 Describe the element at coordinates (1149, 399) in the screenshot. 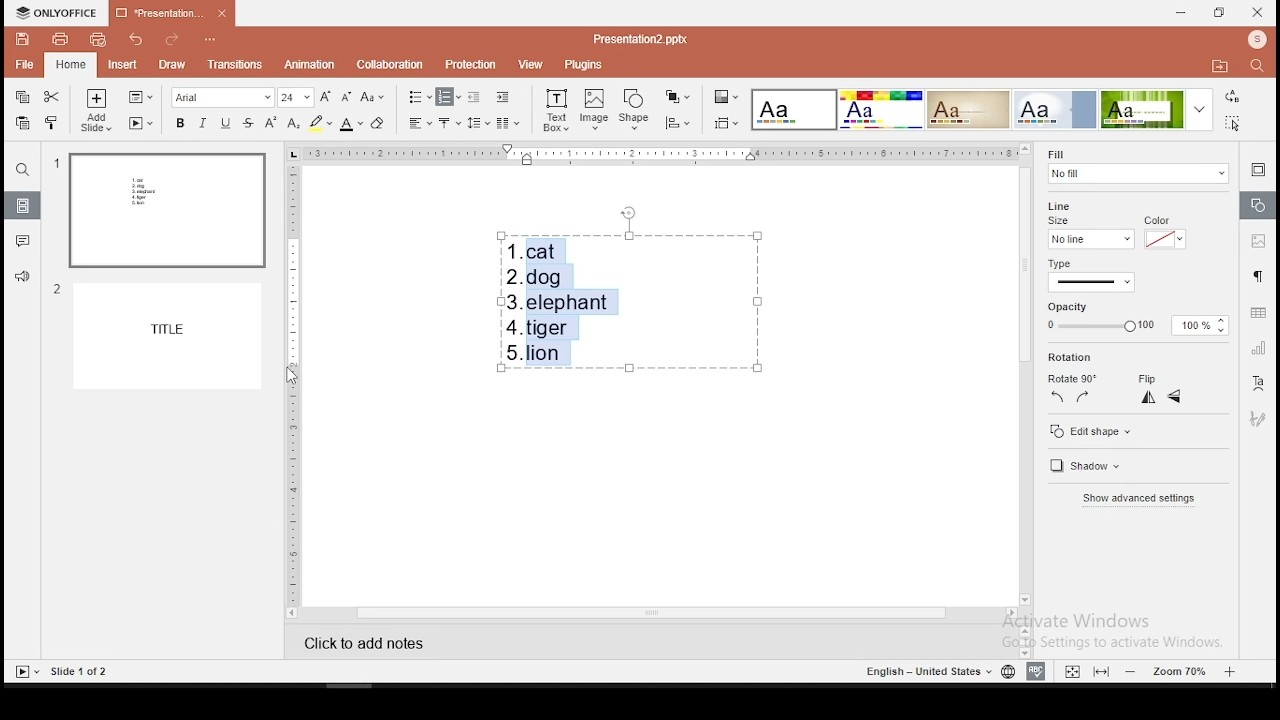

I see `vertical` at that location.